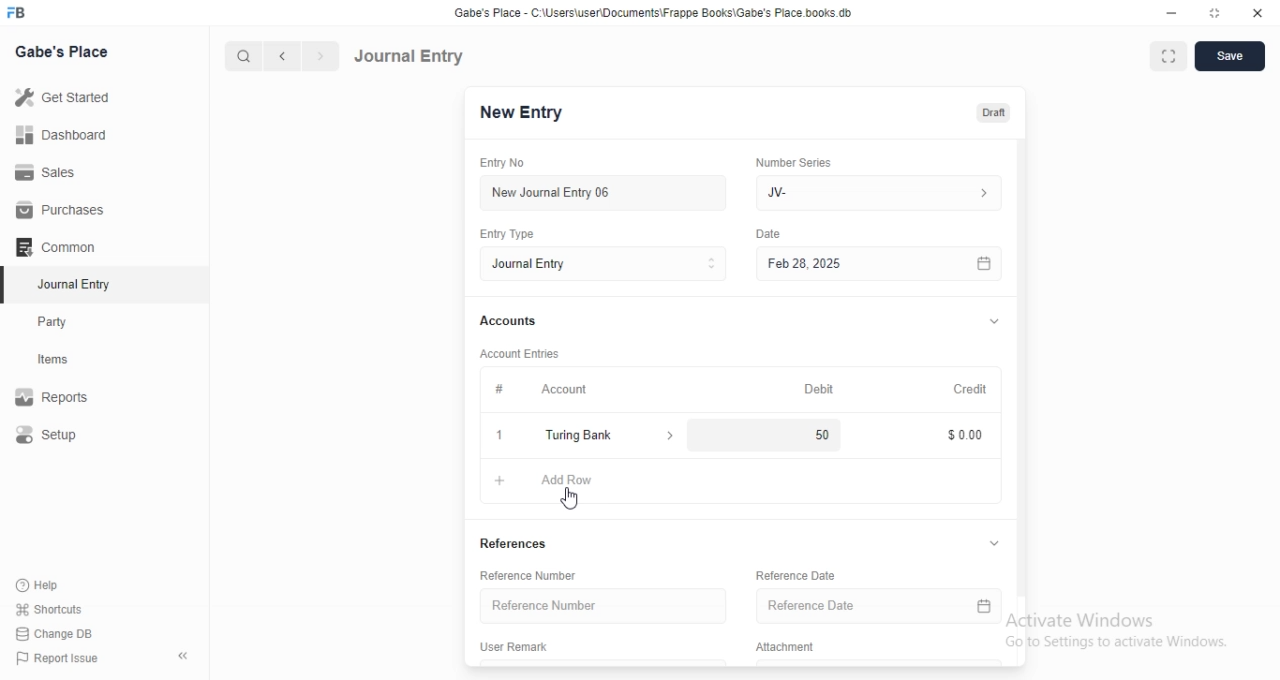  Describe the element at coordinates (602, 264) in the screenshot. I see `Entry Type` at that location.